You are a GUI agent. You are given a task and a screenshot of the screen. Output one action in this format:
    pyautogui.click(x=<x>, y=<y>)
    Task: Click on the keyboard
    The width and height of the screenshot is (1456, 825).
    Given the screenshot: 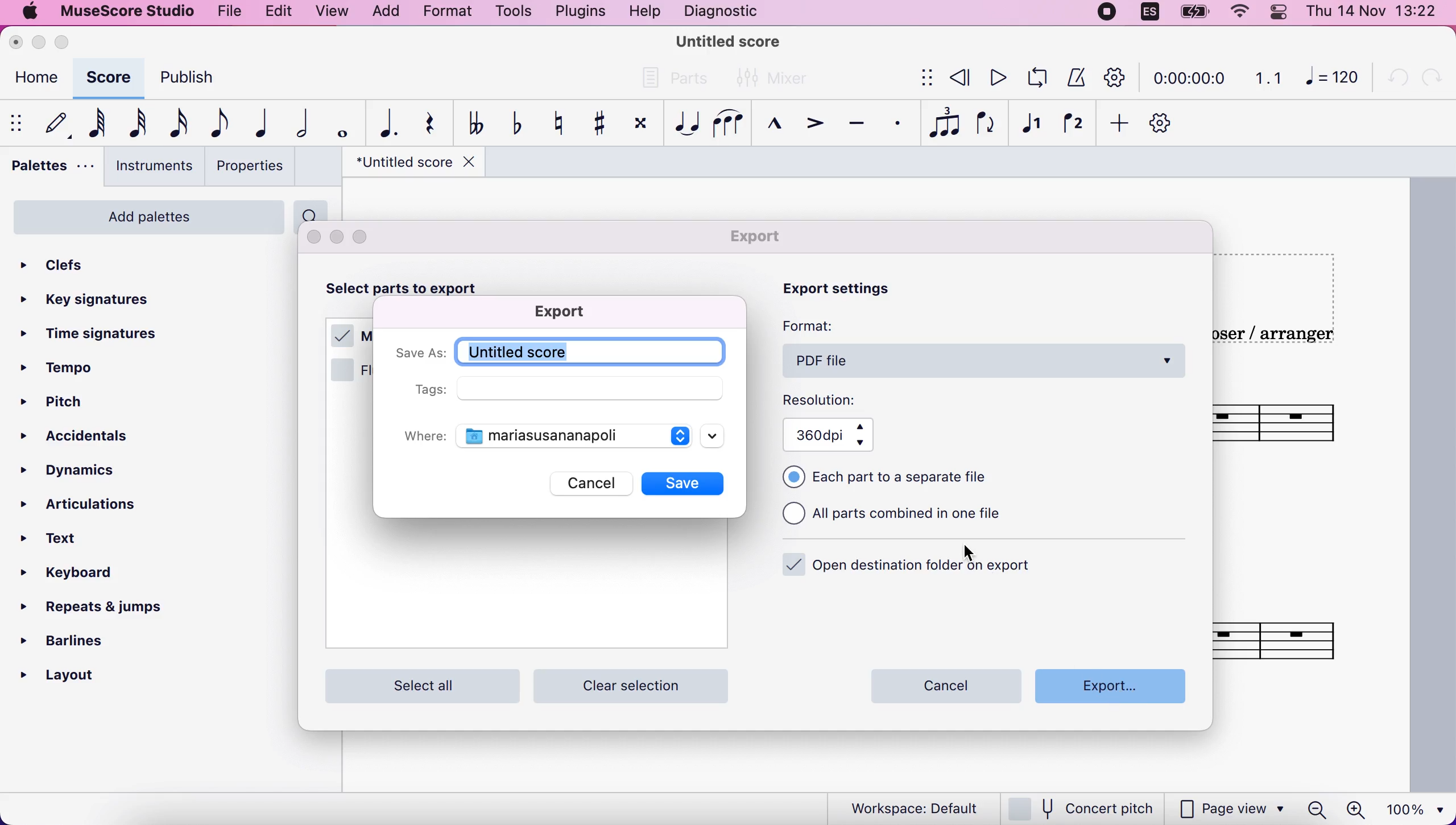 What is the action you would take?
    pyautogui.click(x=77, y=577)
    